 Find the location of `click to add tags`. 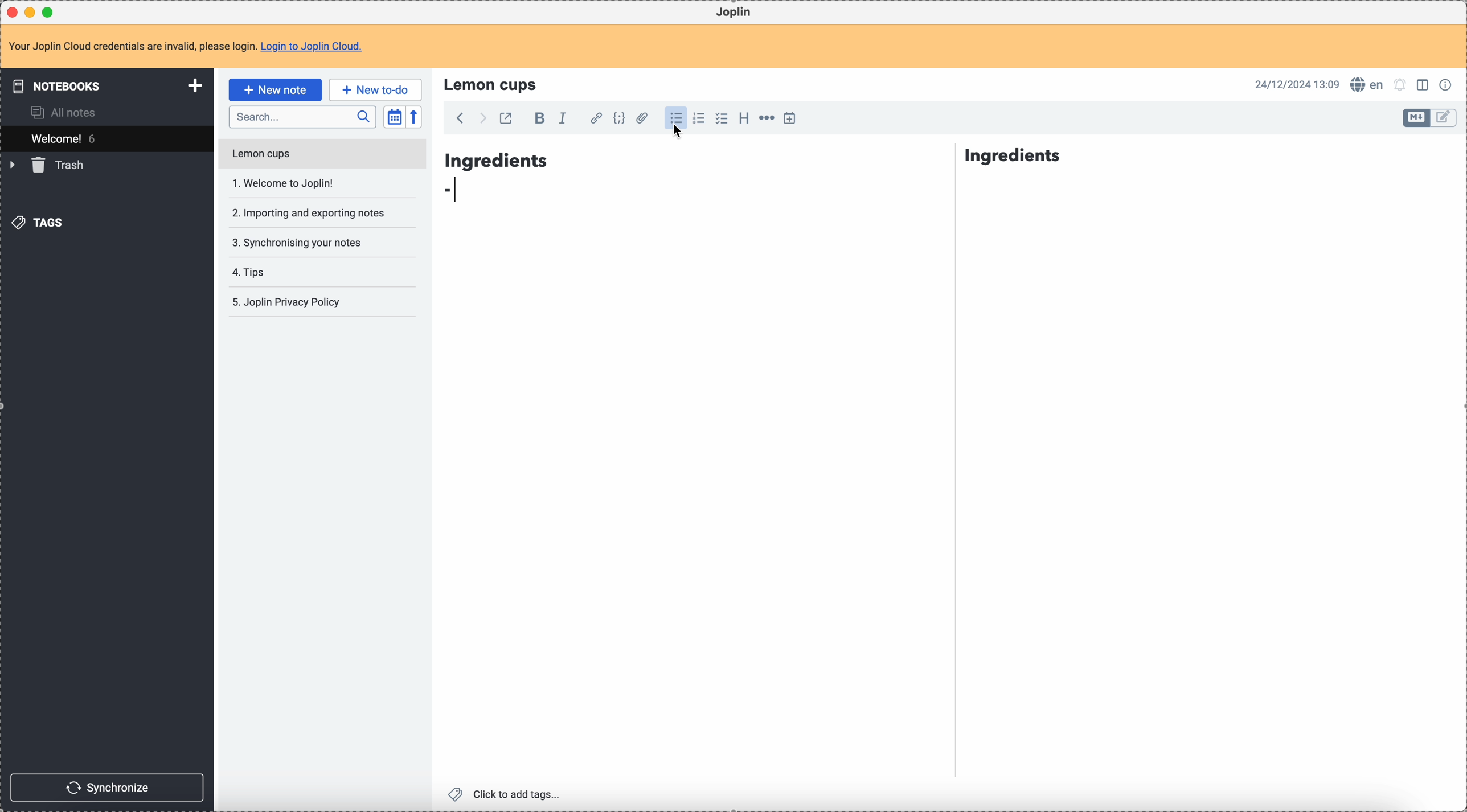

click to add tags is located at coordinates (507, 793).